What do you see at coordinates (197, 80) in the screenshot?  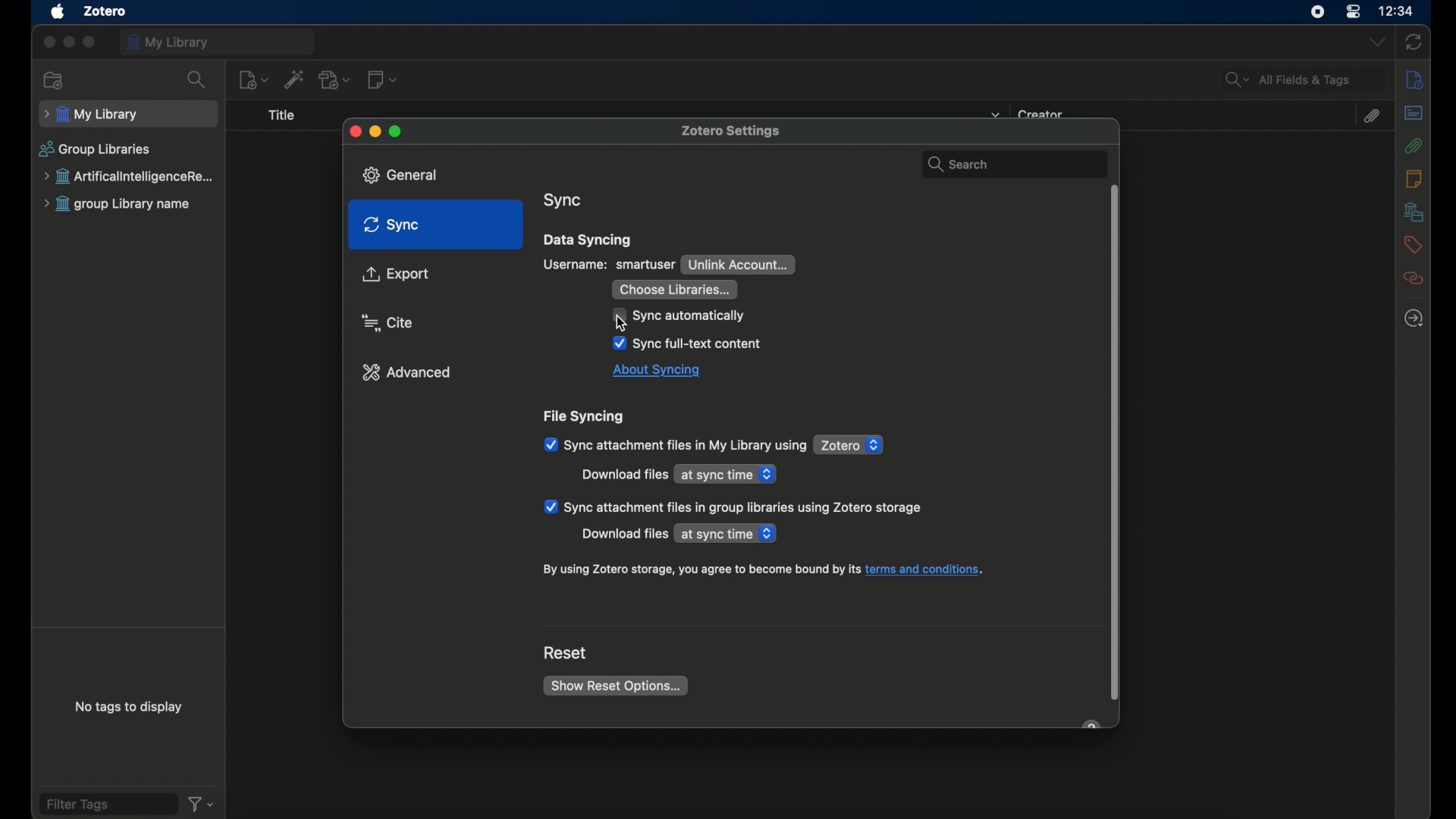 I see `search` at bounding box center [197, 80].